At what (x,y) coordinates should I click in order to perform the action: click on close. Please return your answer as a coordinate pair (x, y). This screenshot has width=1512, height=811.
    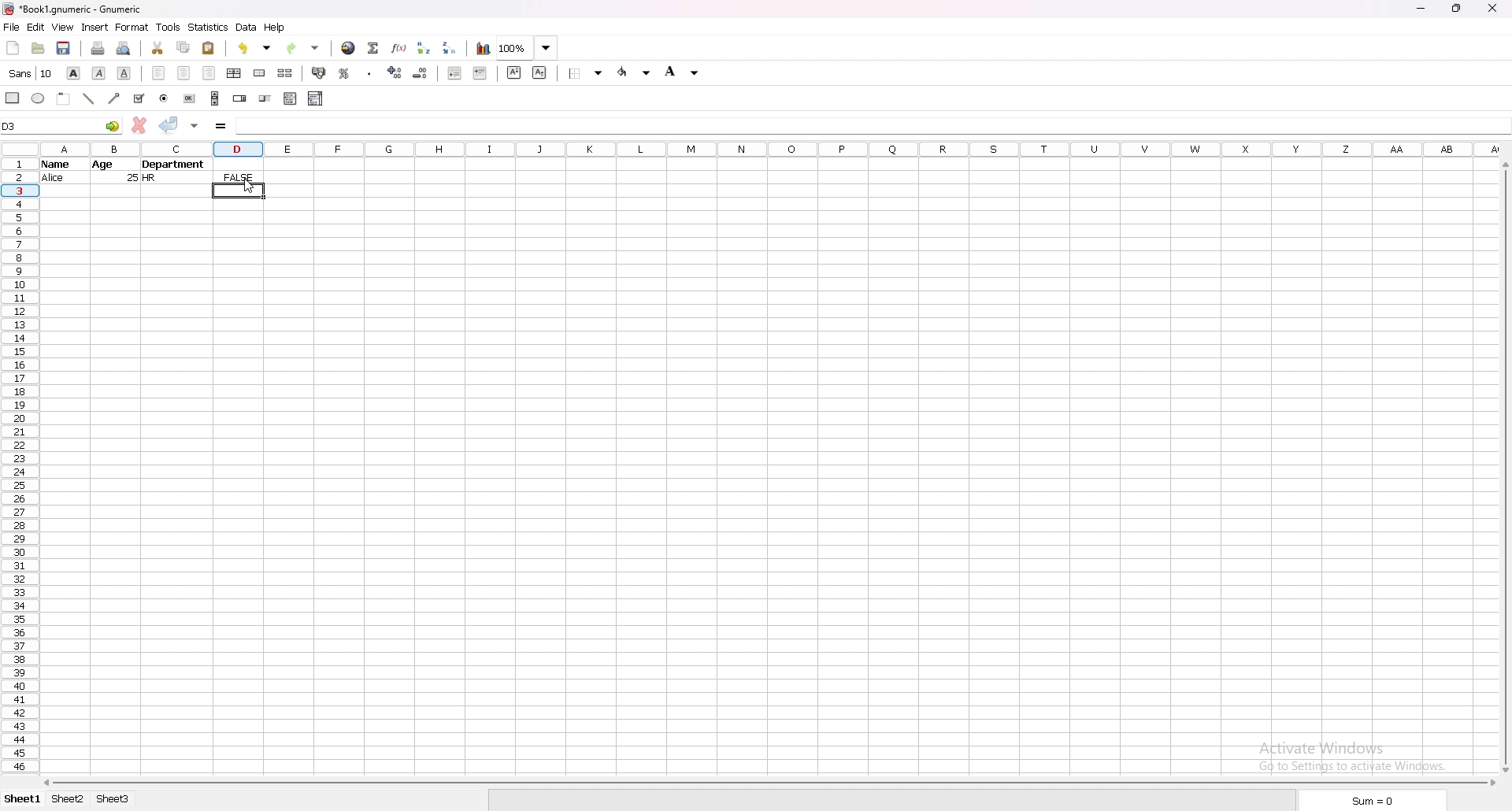
    Looking at the image, I should click on (1492, 9).